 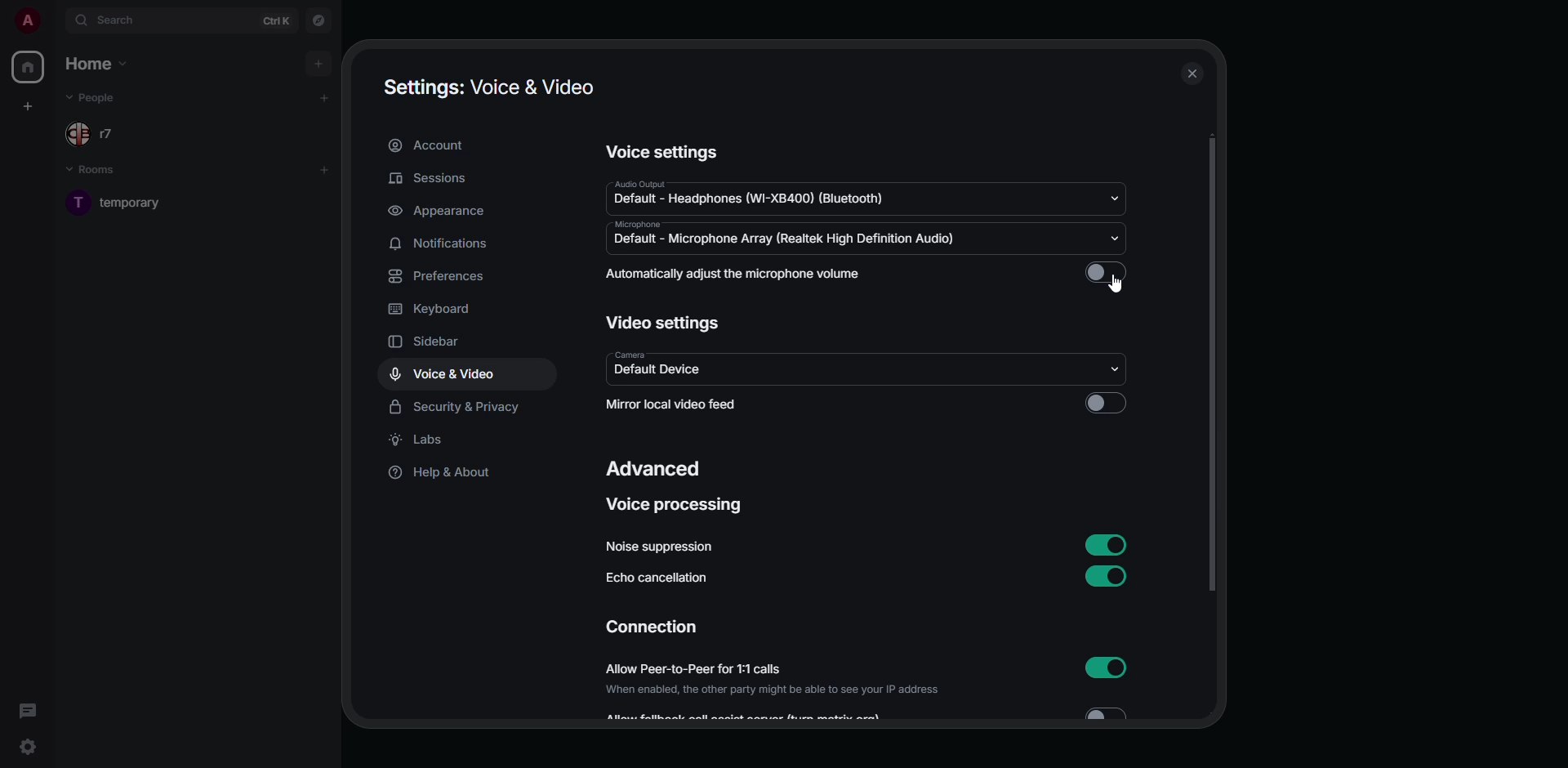 What do you see at coordinates (326, 167) in the screenshot?
I see `add` at bounding box center [326, 167].